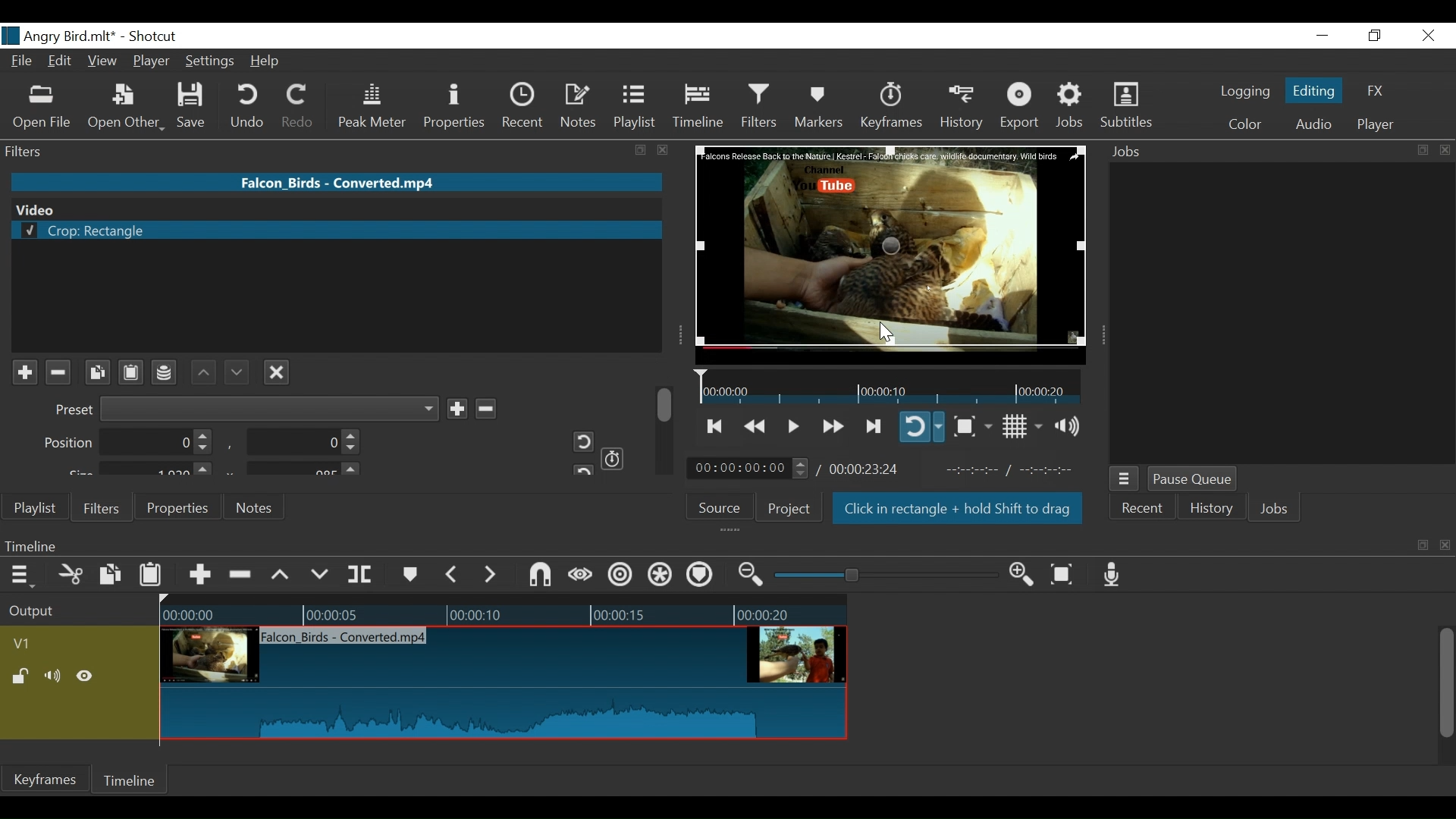 The image size is (1456, 819). What do you see at coordinates (204, 372) in the screenshot?
I see `up` at bounding box center [204, 372].